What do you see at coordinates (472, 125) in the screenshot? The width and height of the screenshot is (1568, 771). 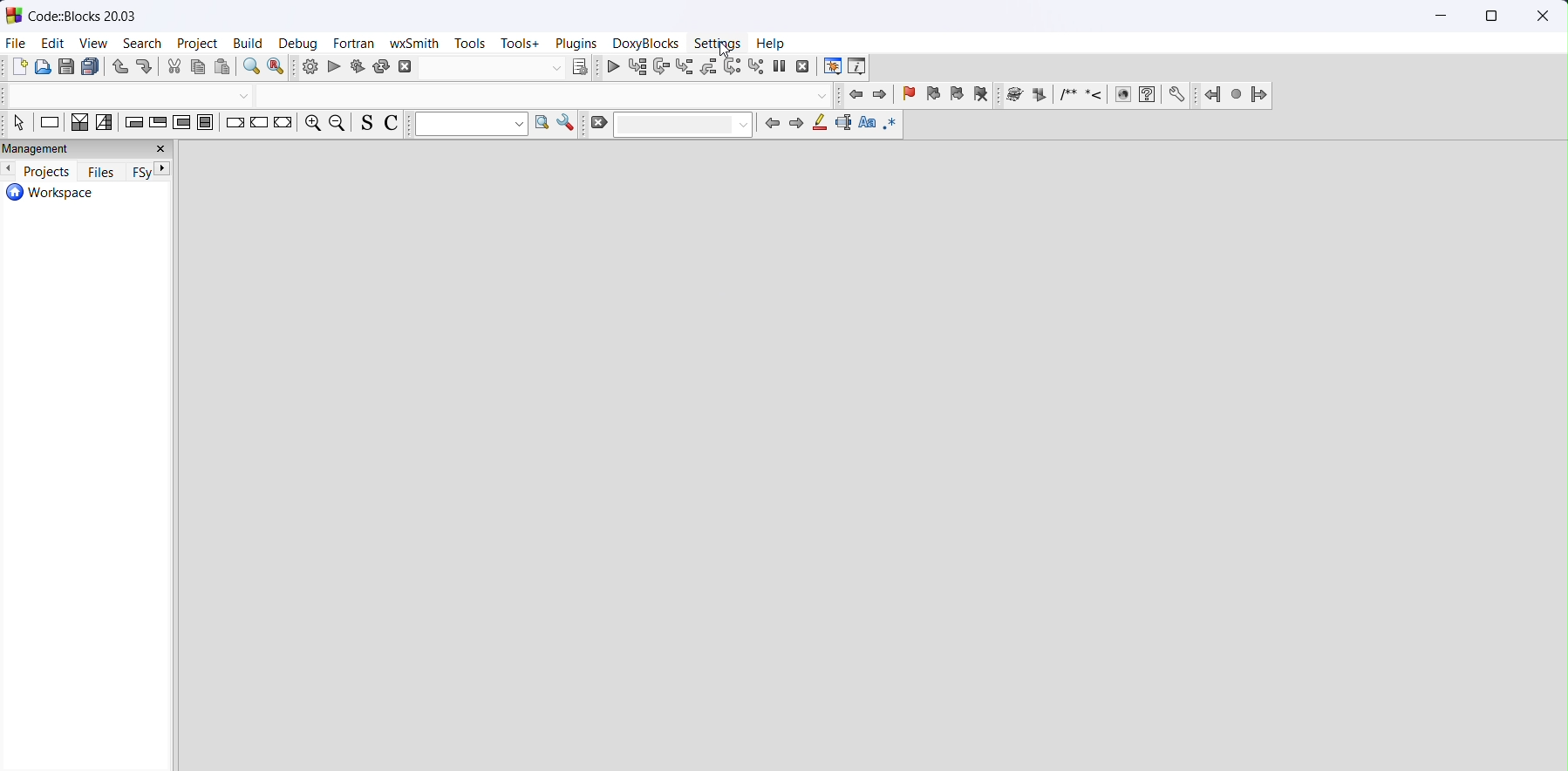 I see `text to search` at bounding box center [472, 125].